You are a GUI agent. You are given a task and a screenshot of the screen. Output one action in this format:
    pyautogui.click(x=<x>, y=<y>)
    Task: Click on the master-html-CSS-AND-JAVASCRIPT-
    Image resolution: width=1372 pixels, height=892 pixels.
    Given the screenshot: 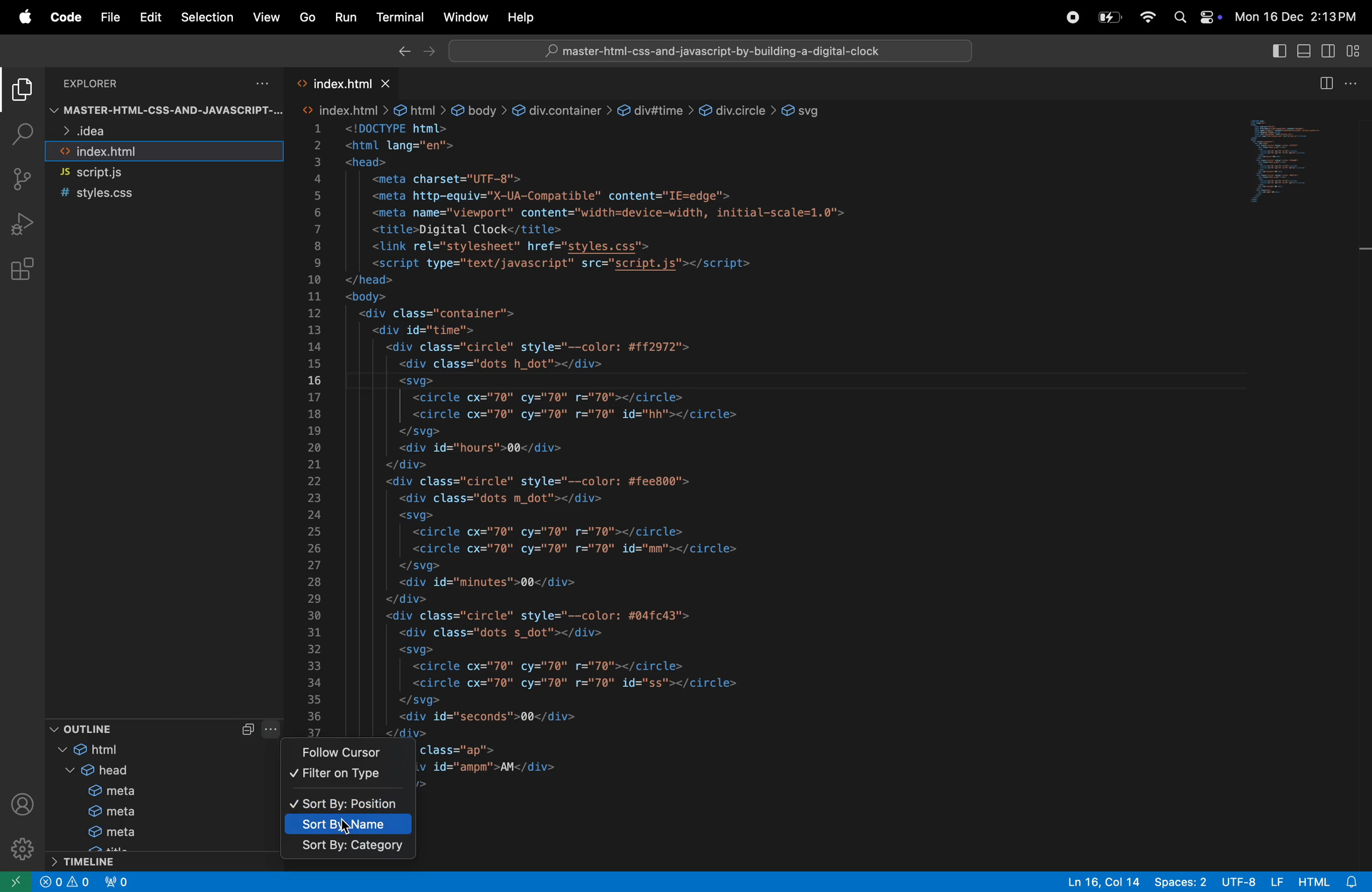 What is the action you would take?
    pyautogui.click(x=168, y=112)
    